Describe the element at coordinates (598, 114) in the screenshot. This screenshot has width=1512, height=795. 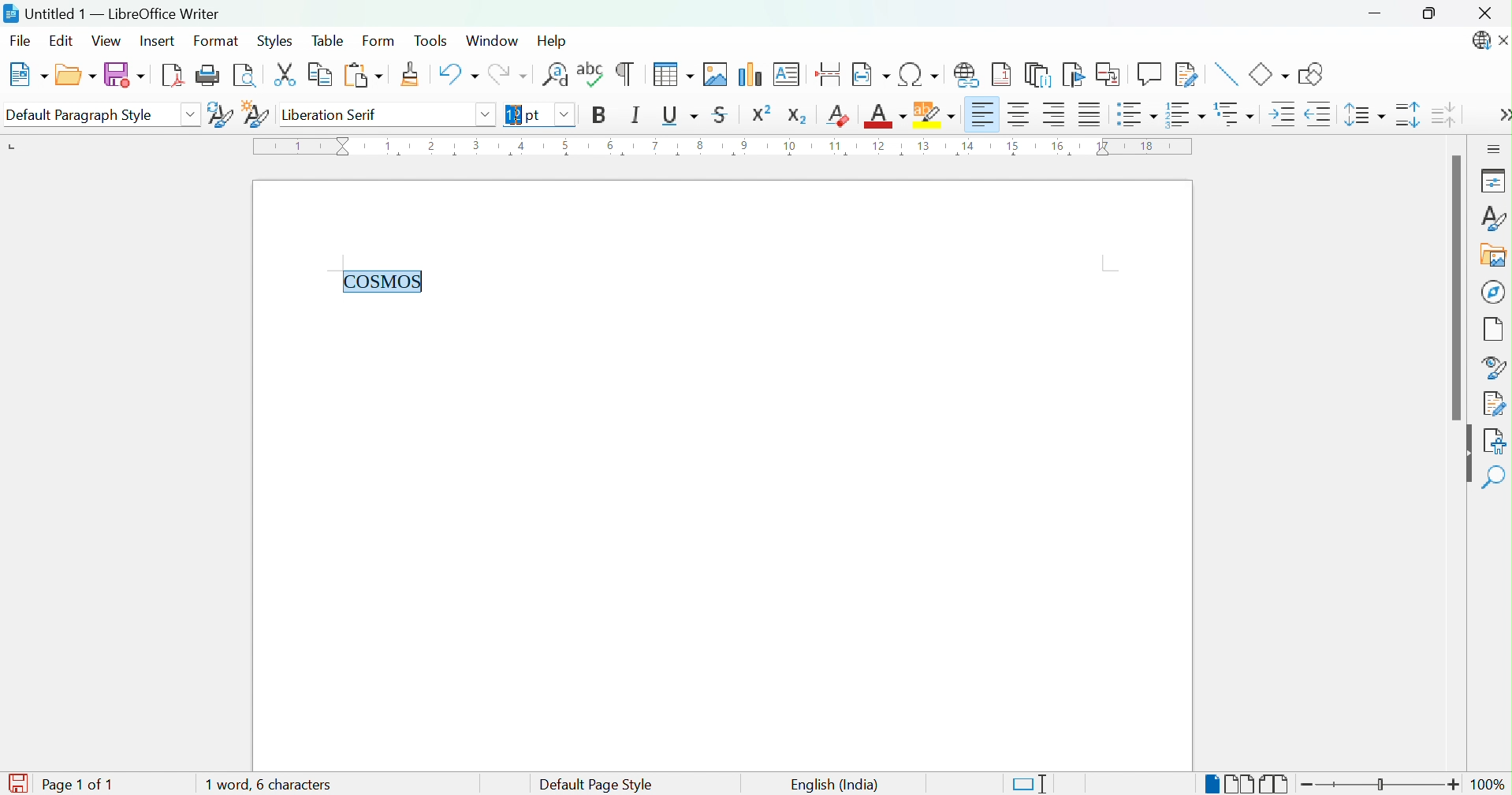
I see `Bold` at that location.